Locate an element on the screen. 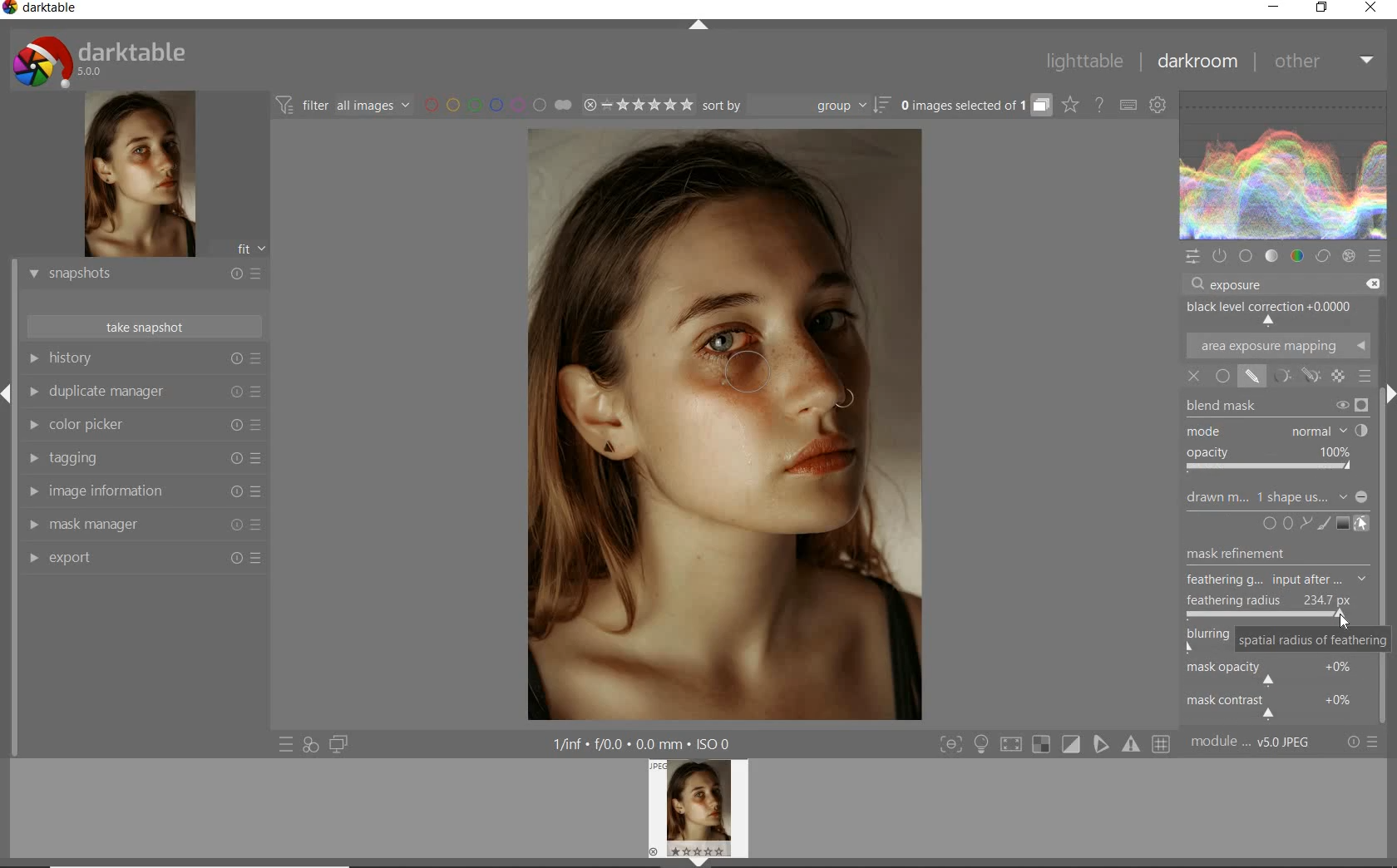  export is located at coordinates (142, 561).